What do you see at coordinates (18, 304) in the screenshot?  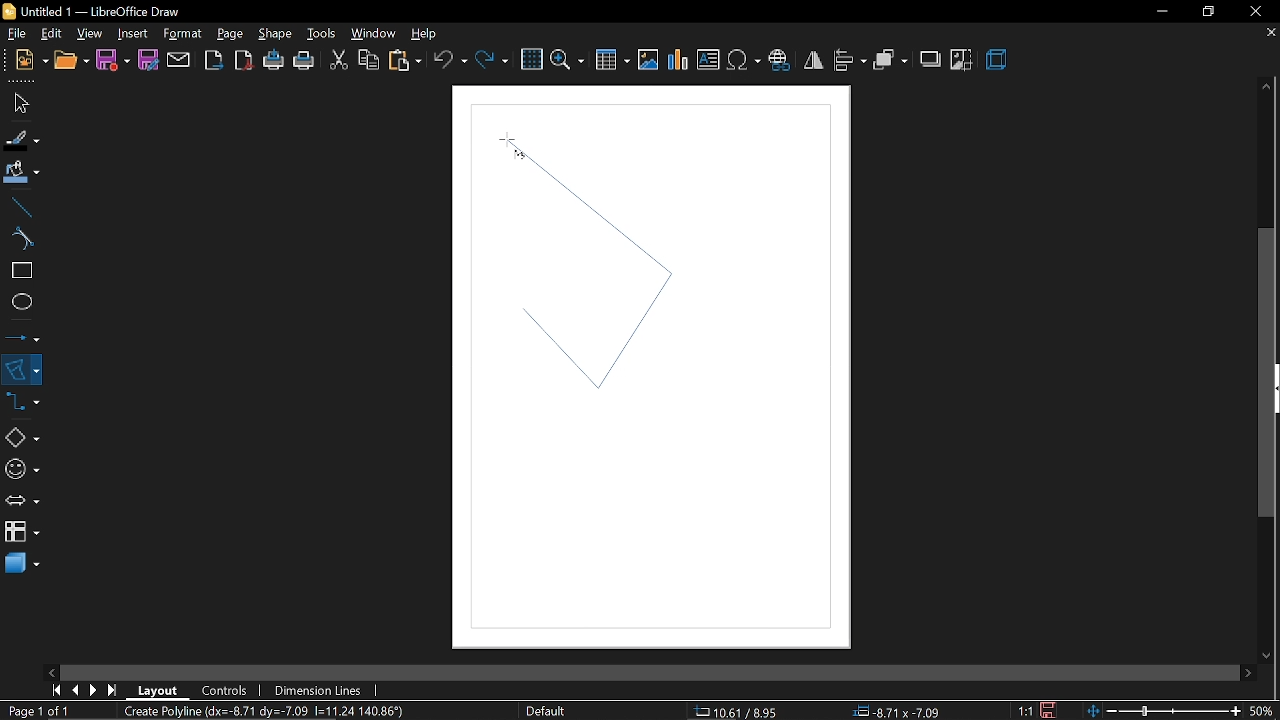 I see `ellipse` at bounding box center [18, 304].